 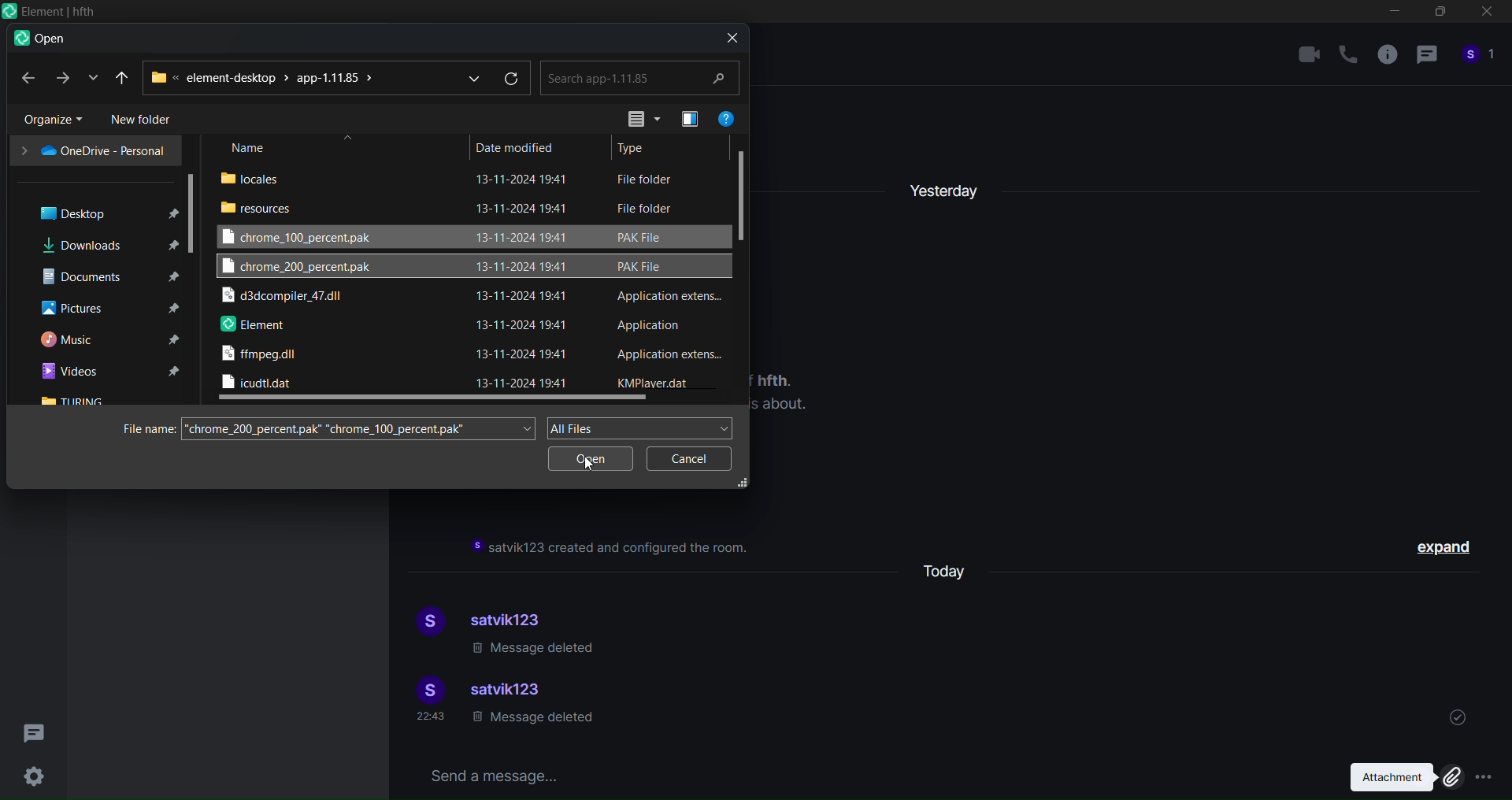 I want to click on satvik123, so click(x=510, y=691).